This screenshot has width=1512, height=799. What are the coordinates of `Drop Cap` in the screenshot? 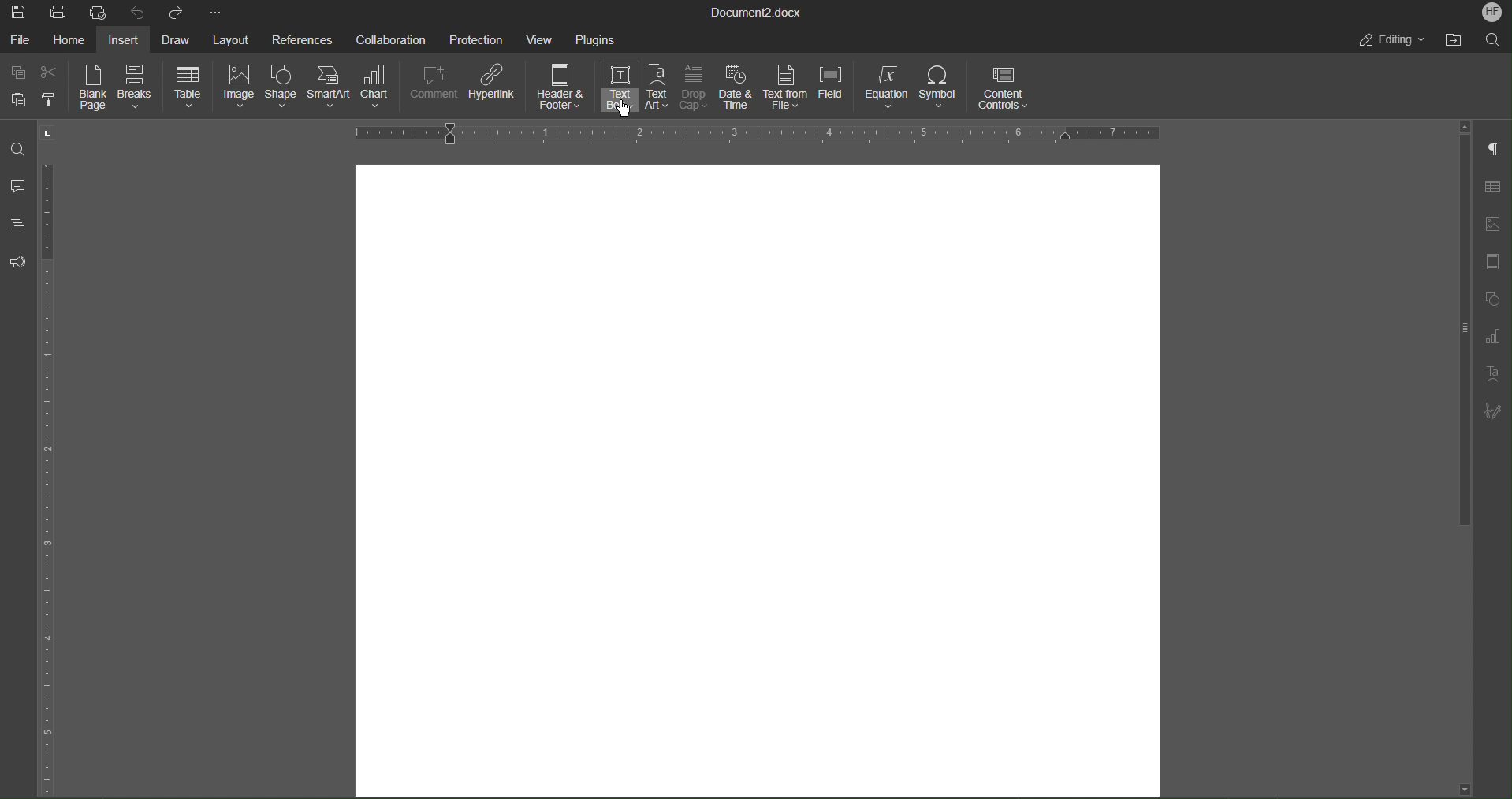 It's located at (694, 88).